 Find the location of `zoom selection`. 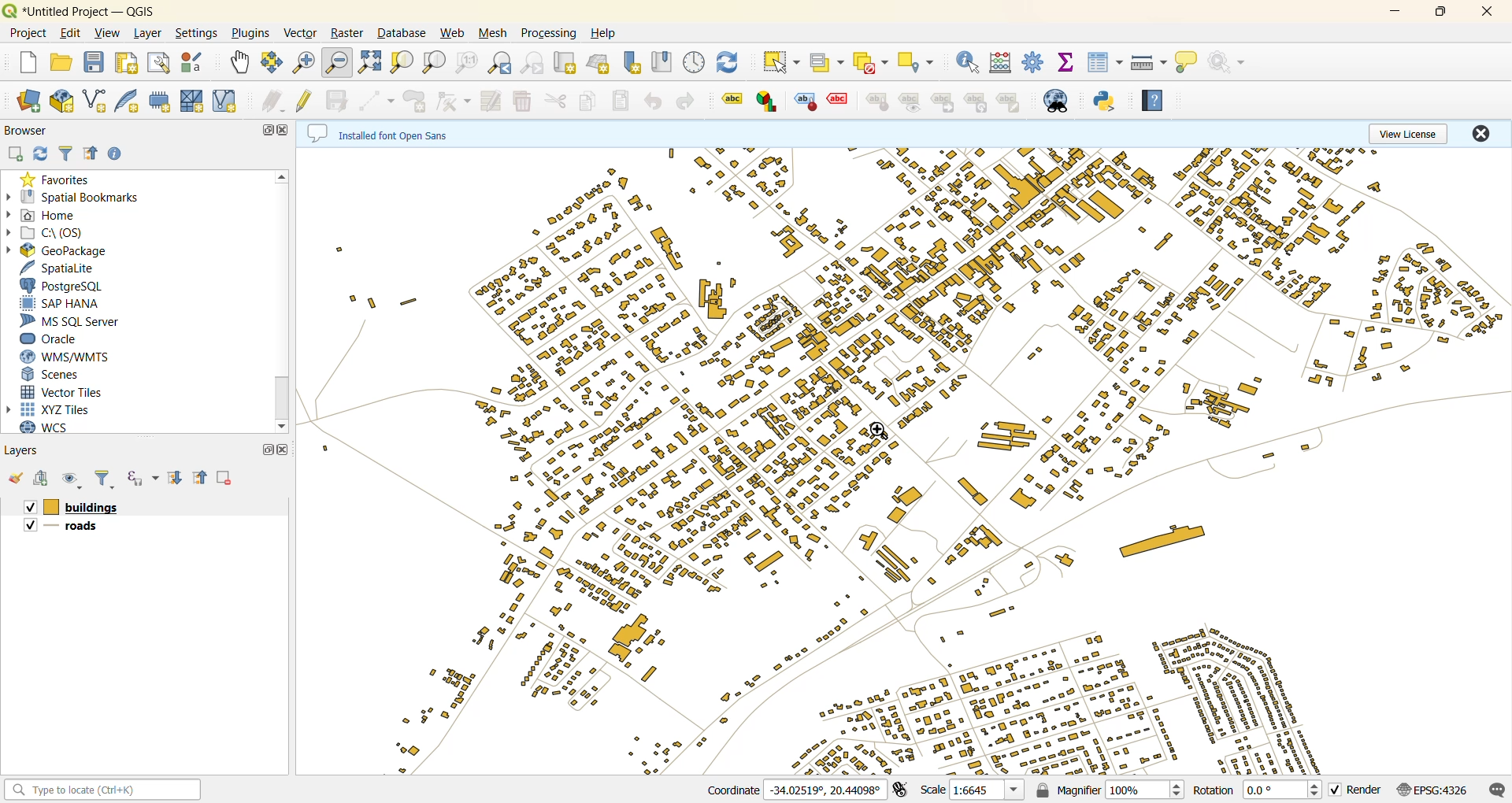

zoom selection is located at coordinates (401, 64).